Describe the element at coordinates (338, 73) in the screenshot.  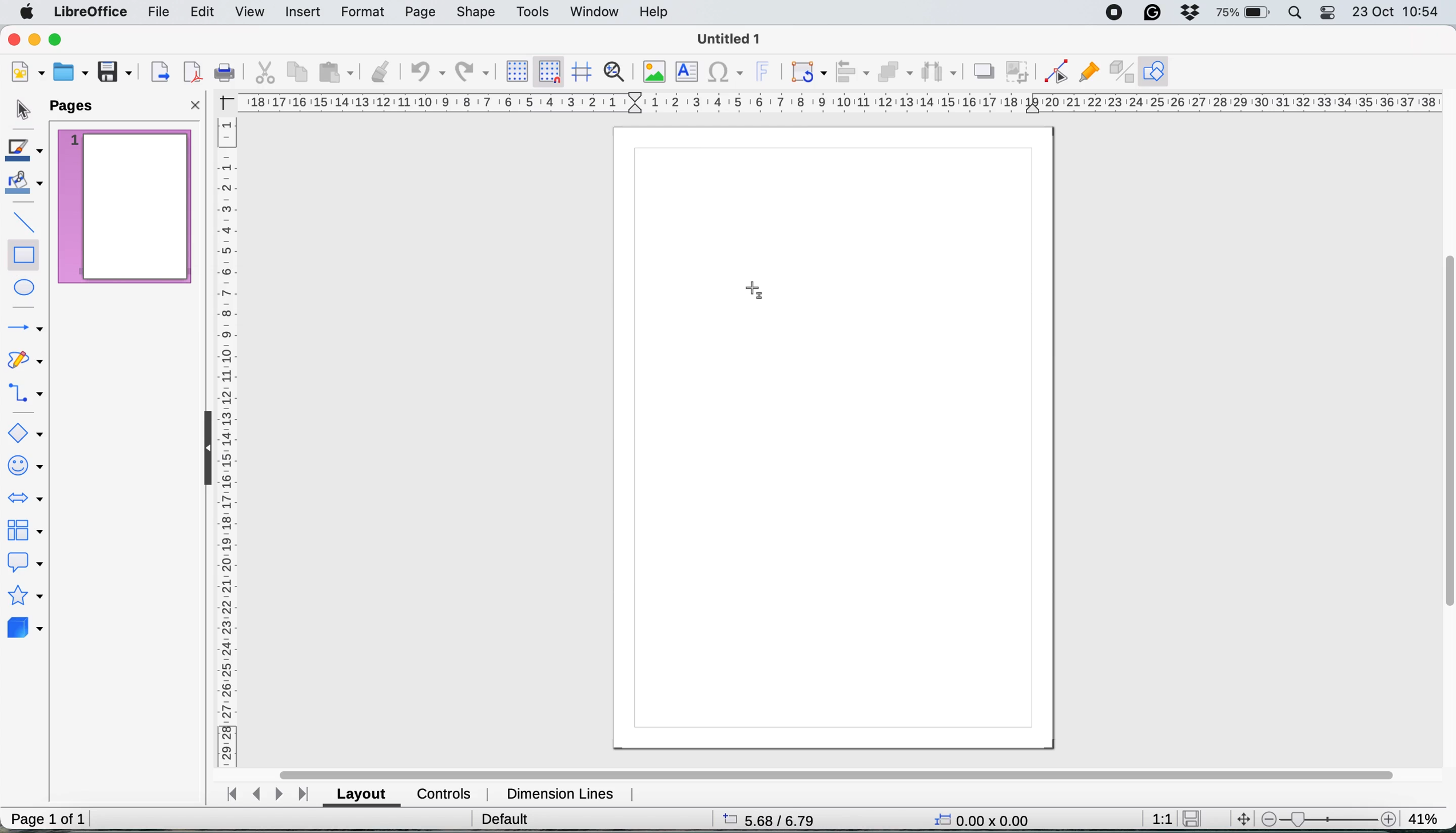
I see `paste` at that location.